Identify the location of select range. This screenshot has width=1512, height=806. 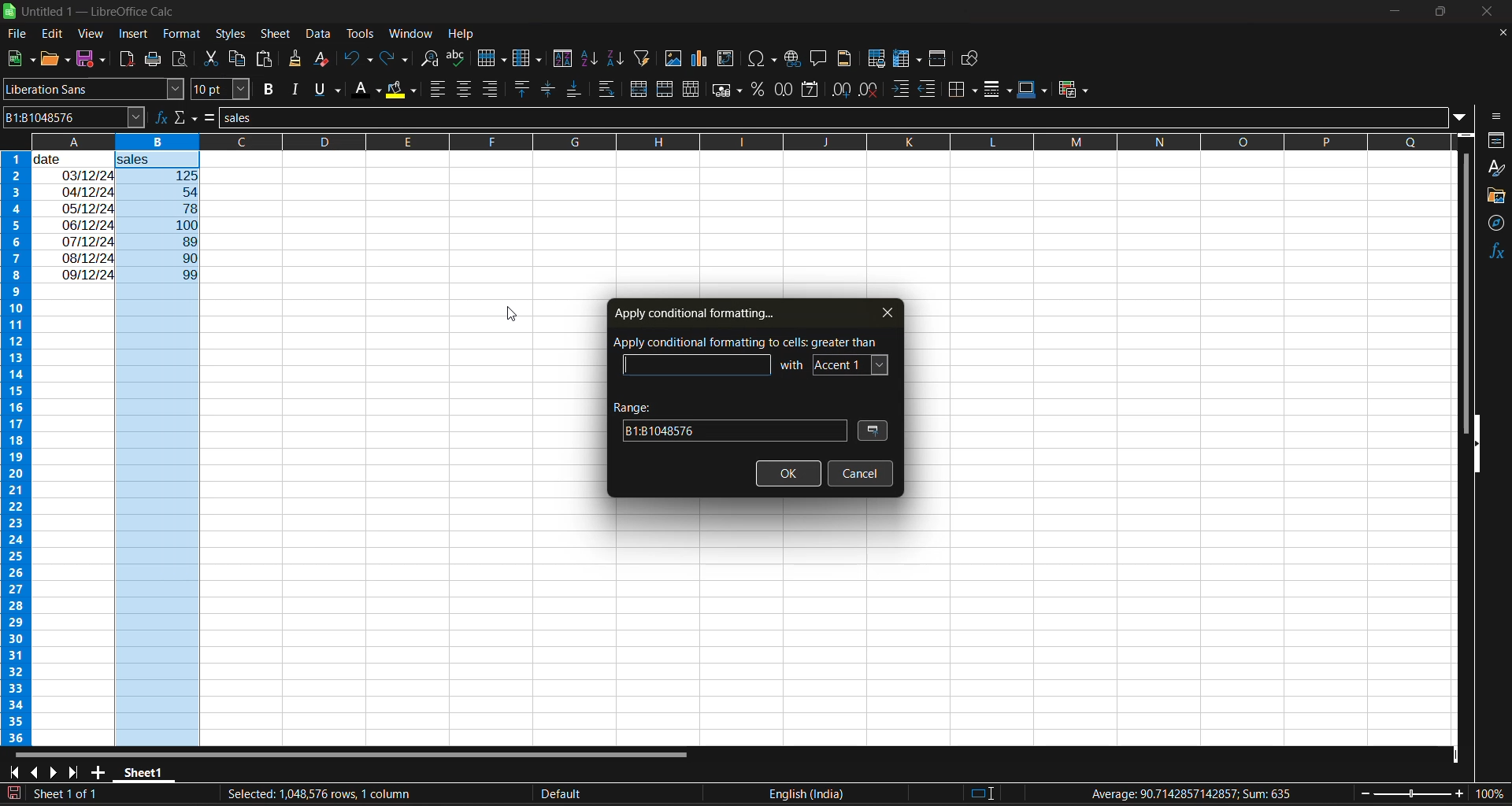
(875, 432).